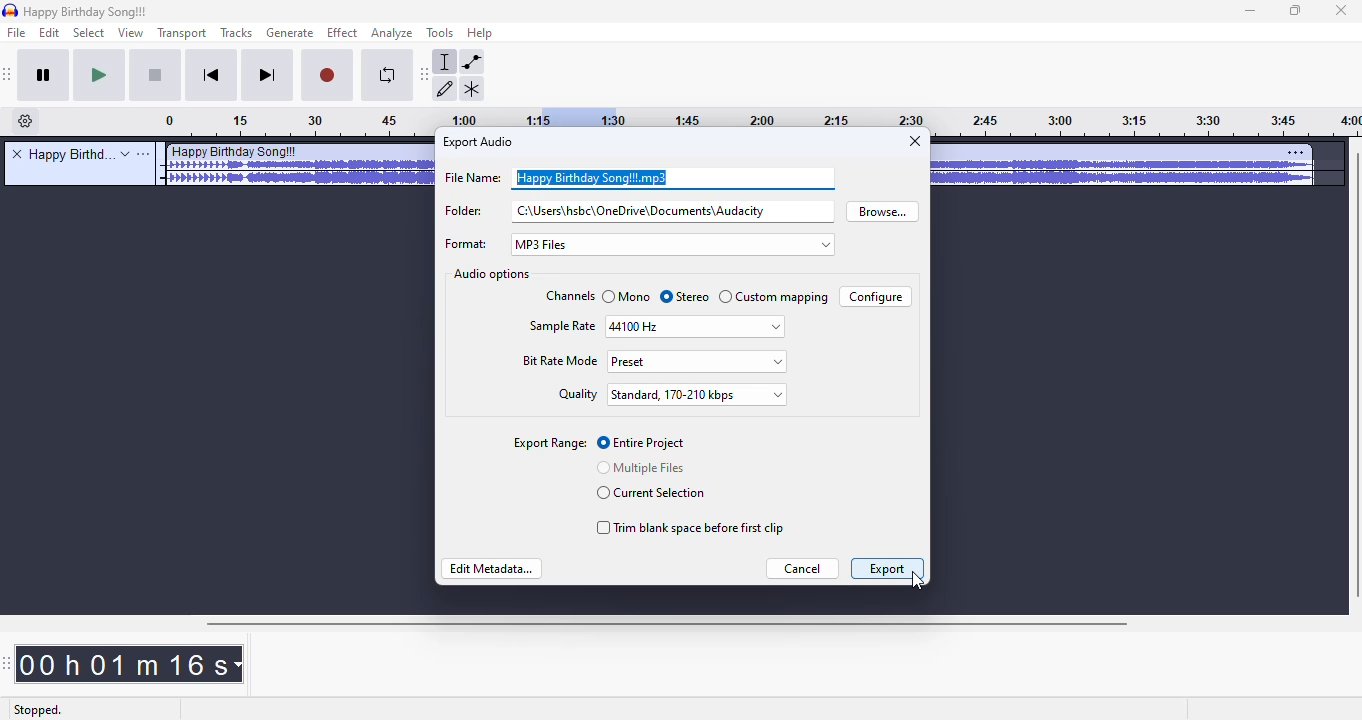 This screenshot has width=1362, height=720. Describe the element at coordinates (569, 296) in the screenshot. I see `channels` at that location.